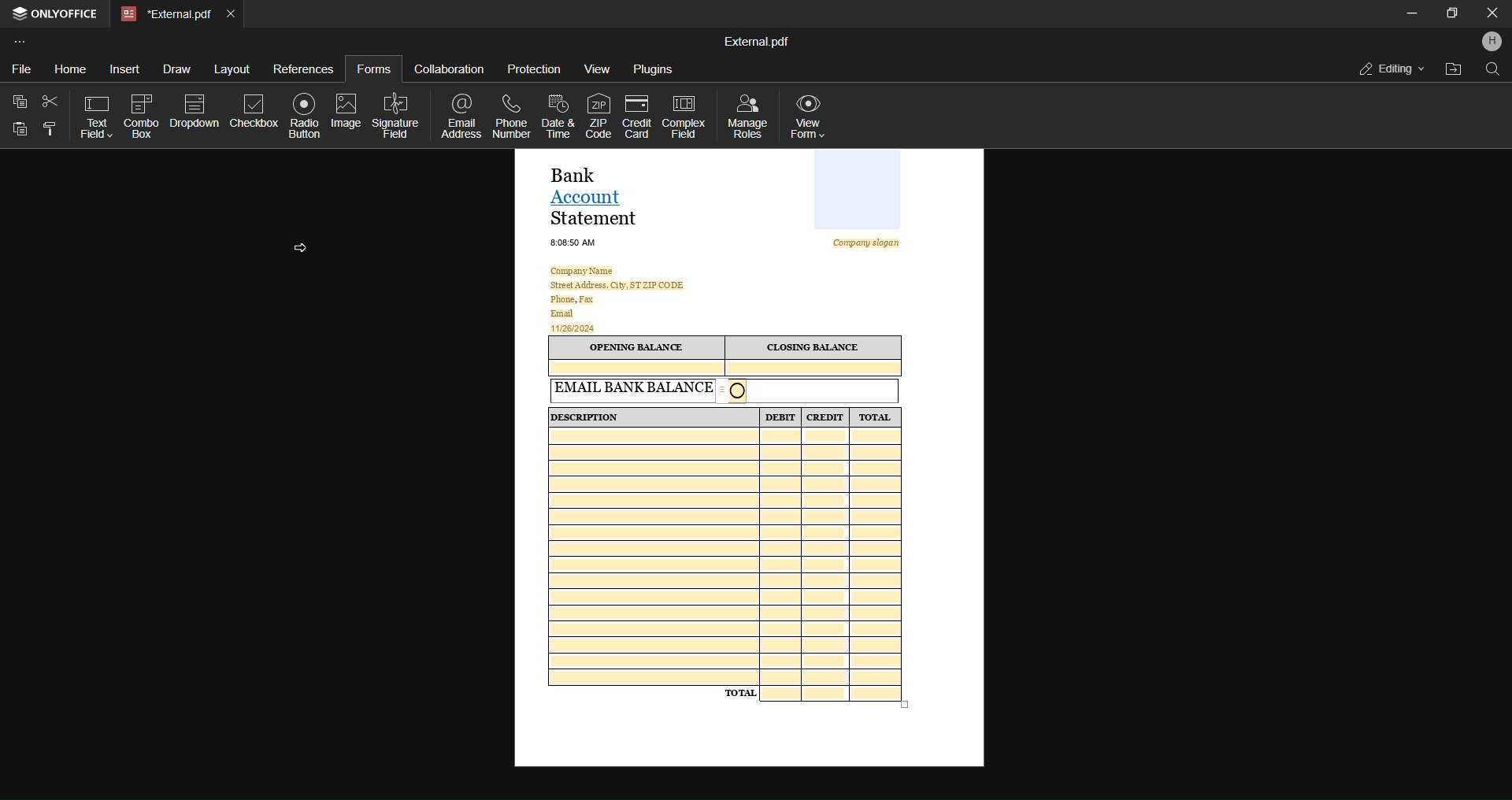  I want to click on maximize, so click(1453, 16).